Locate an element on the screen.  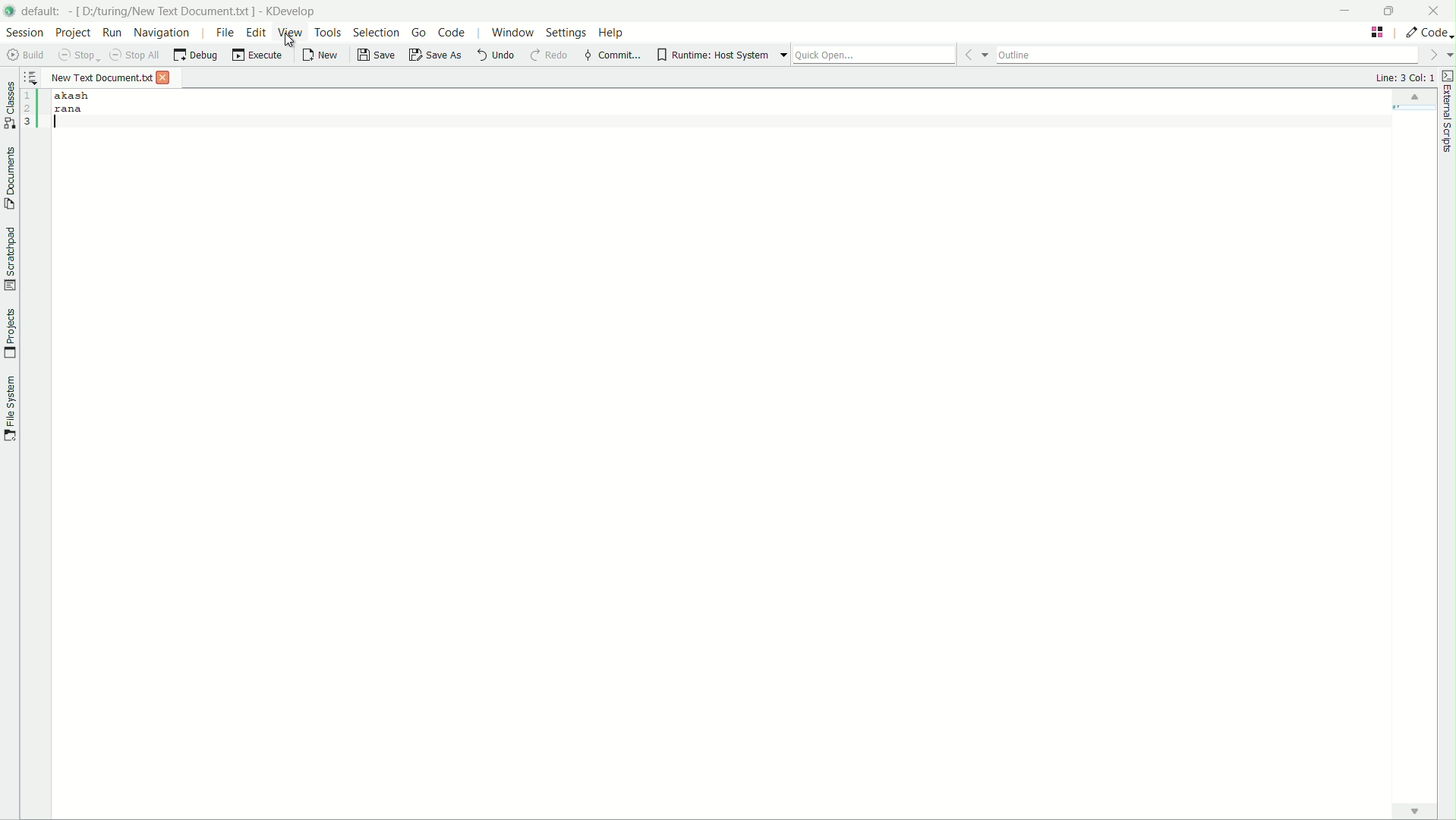
selection menu is located at coordinates (374, 32).